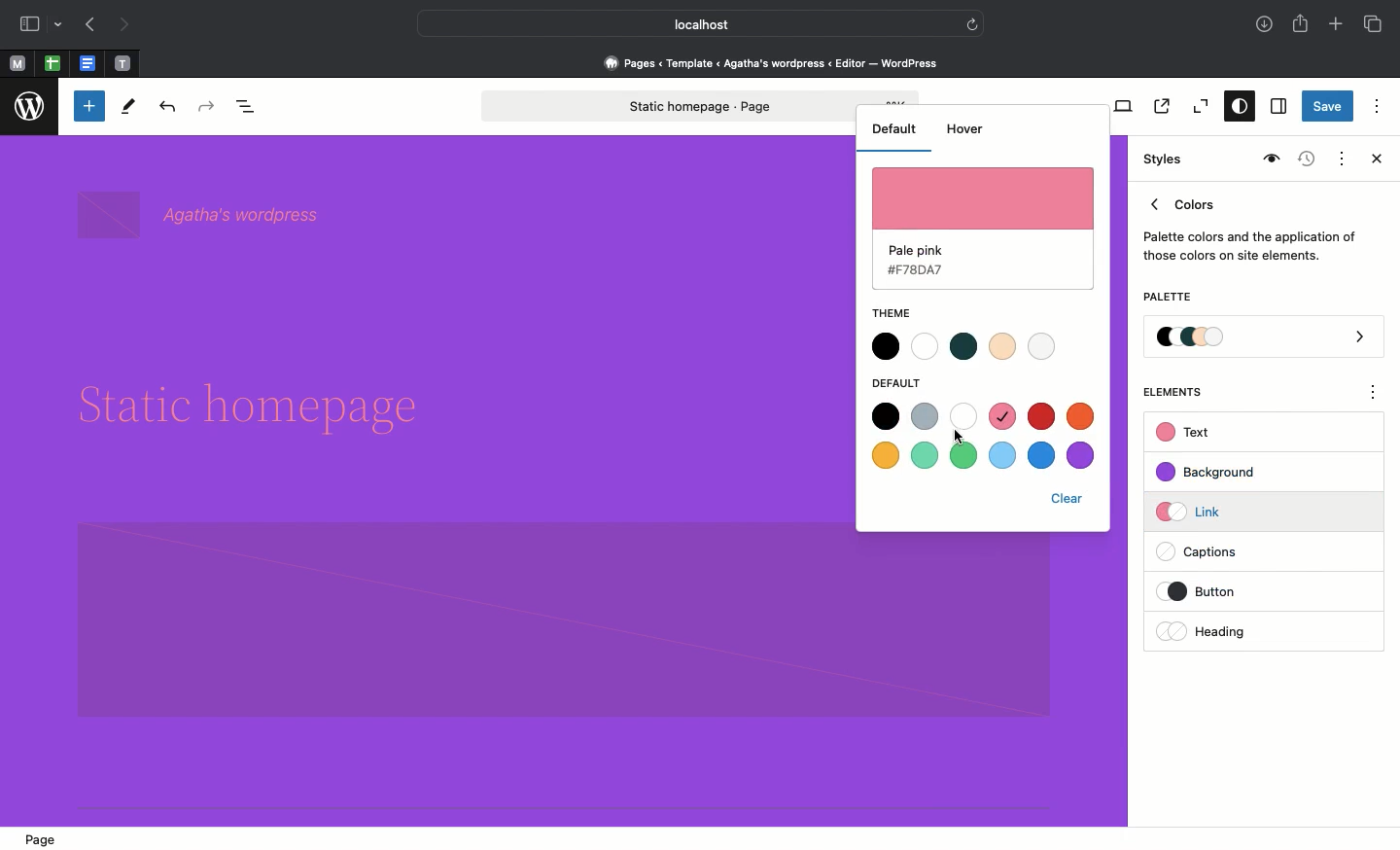  What do you see at coordinates (1277, 107) in the screenshot?
I see `Settings` at bounding box center [1277, 107].